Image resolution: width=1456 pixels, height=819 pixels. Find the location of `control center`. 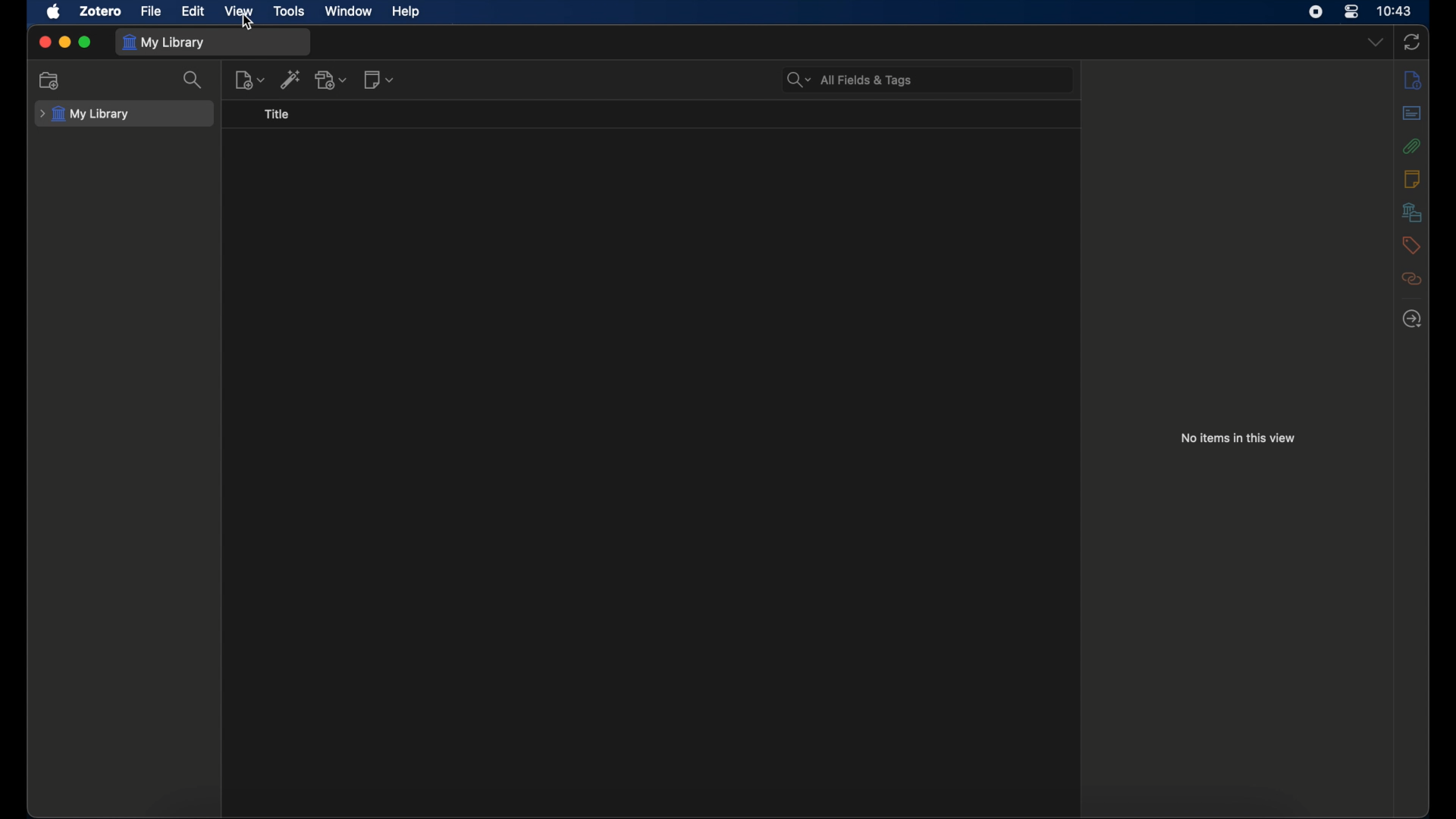

control center is located at coordinates (1351, 12).